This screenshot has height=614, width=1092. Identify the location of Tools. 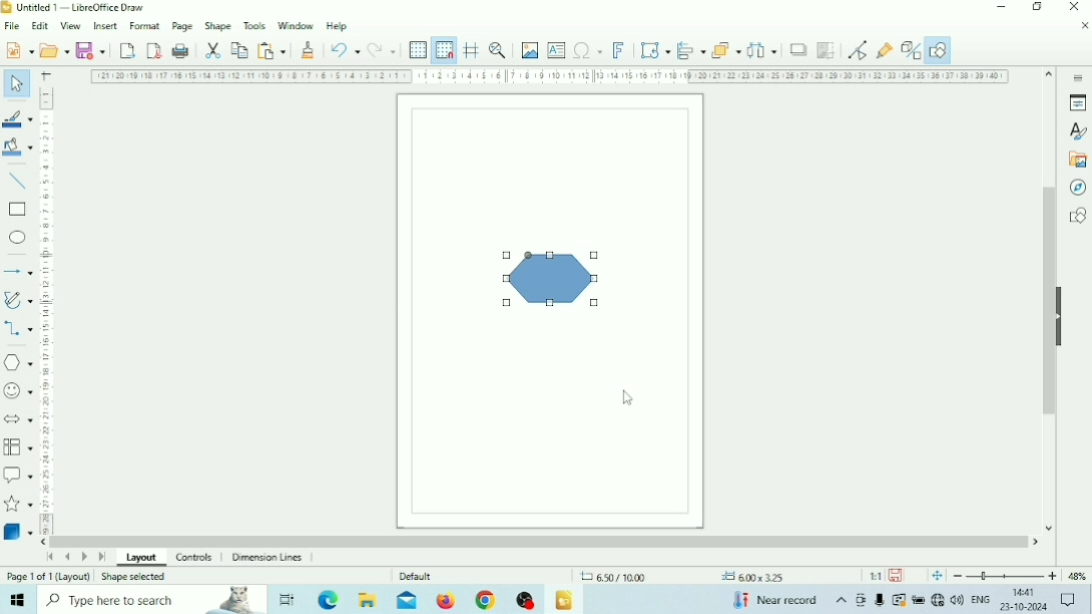
(255, 25).